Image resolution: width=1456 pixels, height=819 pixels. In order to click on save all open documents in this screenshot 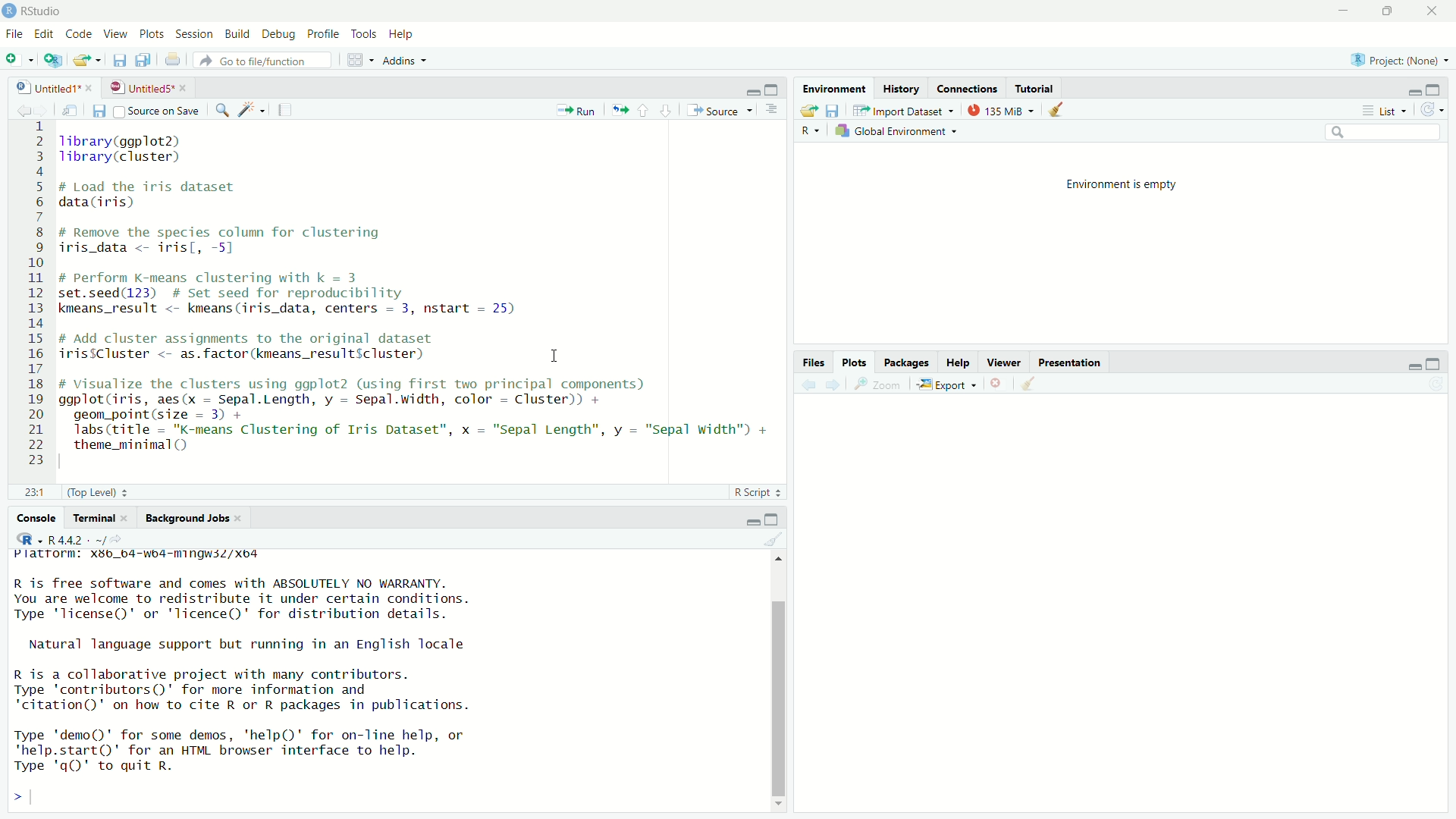, I will do `click(147, 61)`.